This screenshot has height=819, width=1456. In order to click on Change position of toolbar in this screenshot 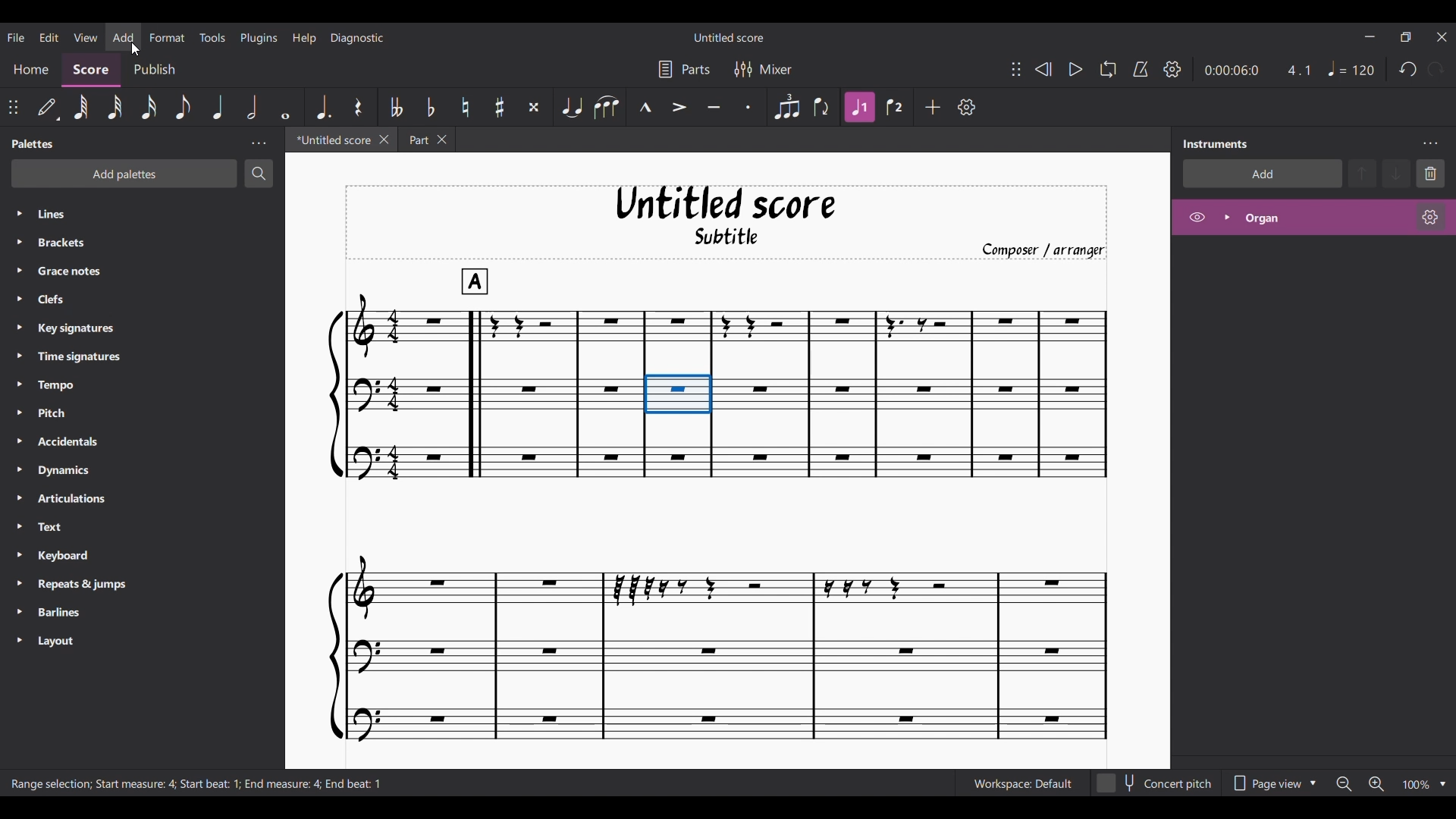, I will do `click(1015, 69)`.